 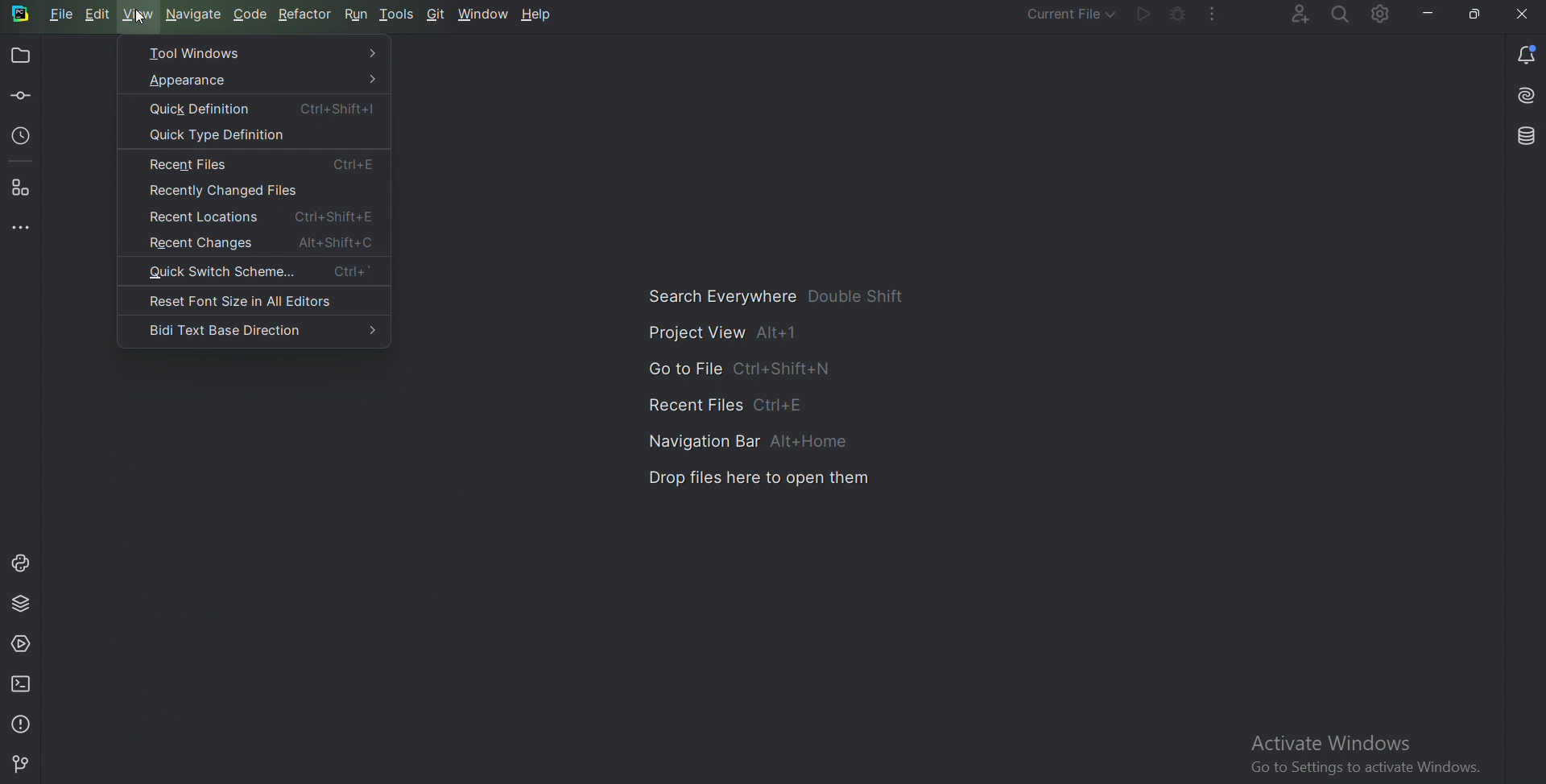 I want to click on Python console, so click(x=20, y=563).